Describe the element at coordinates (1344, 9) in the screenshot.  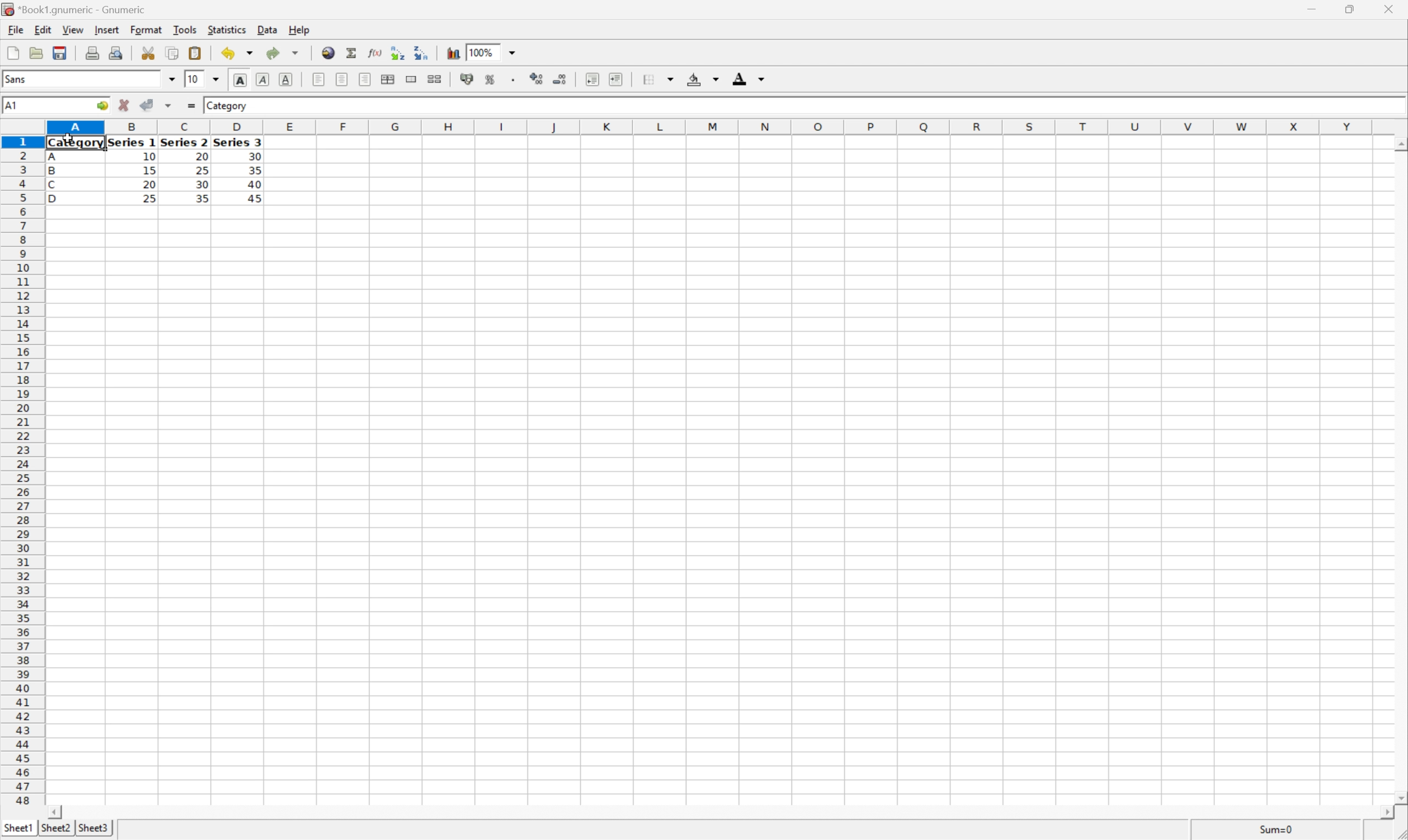
I see `Restore Down` at that location.